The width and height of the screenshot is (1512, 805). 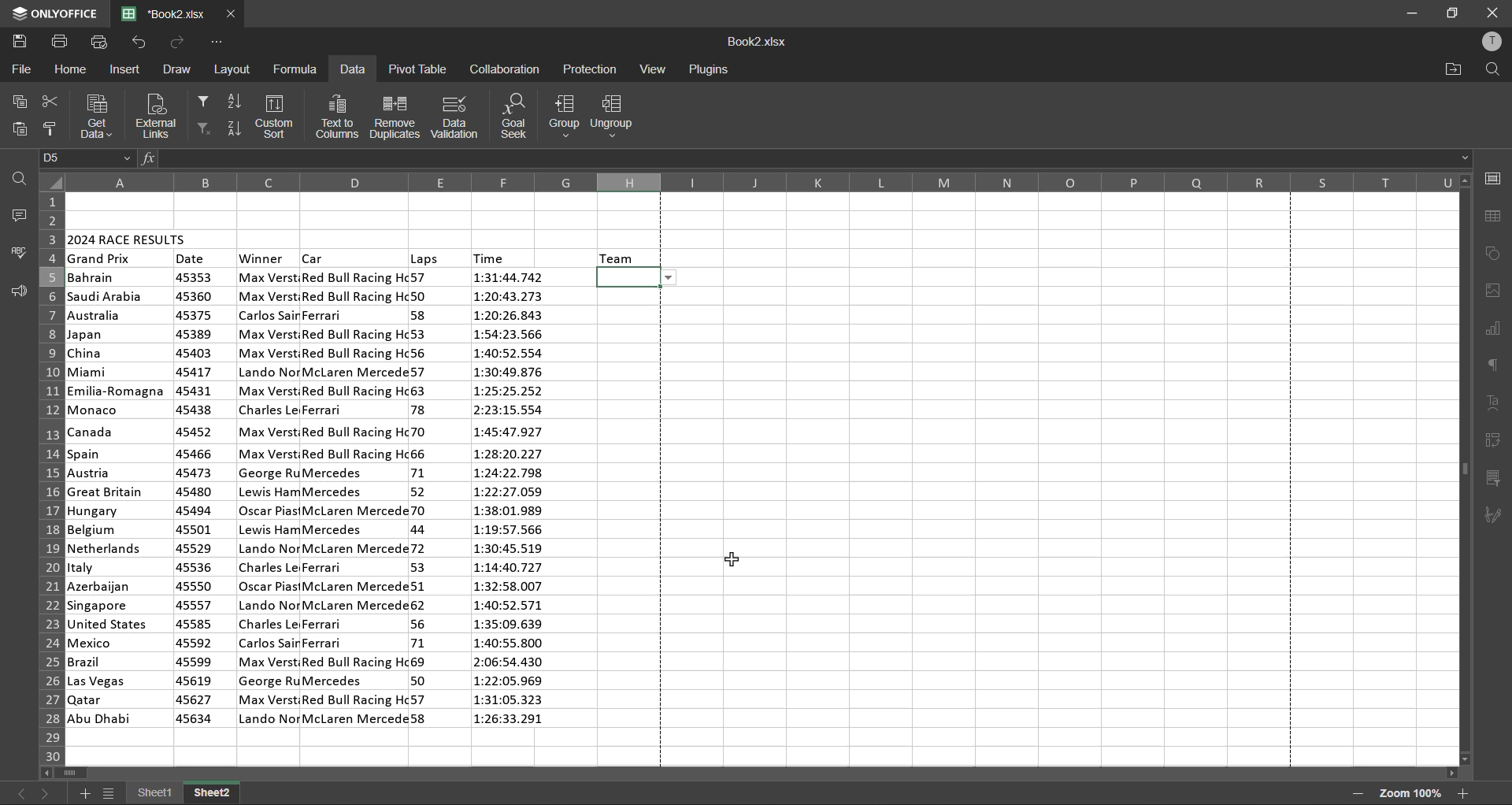 I want to click on shapes, so click(x=1494, y=254).